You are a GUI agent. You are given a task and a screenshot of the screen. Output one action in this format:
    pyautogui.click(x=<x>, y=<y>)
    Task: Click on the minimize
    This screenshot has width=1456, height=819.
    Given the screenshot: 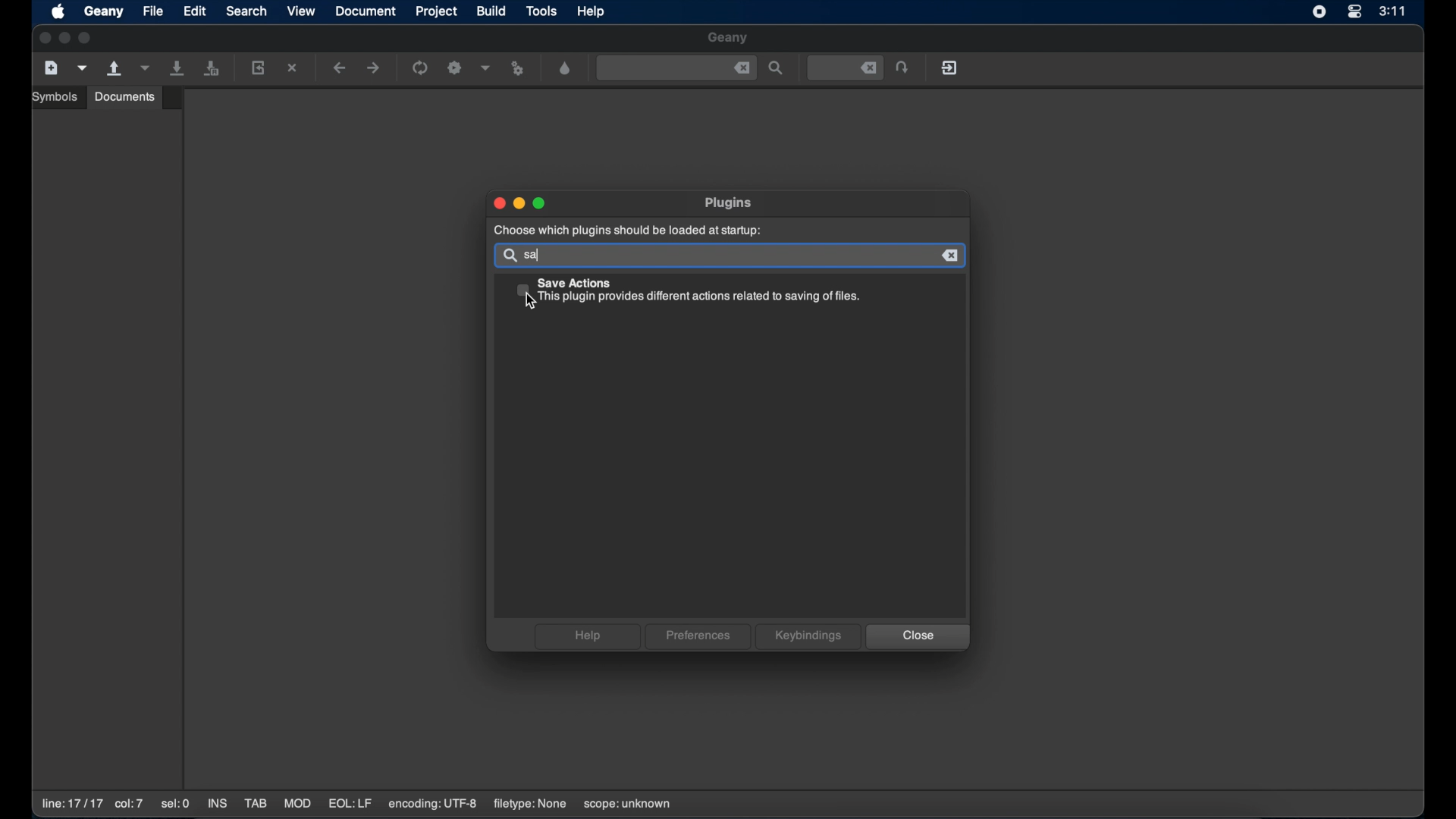 What is the action you would take?
    pyautogui.click(x=520, y=204)
    